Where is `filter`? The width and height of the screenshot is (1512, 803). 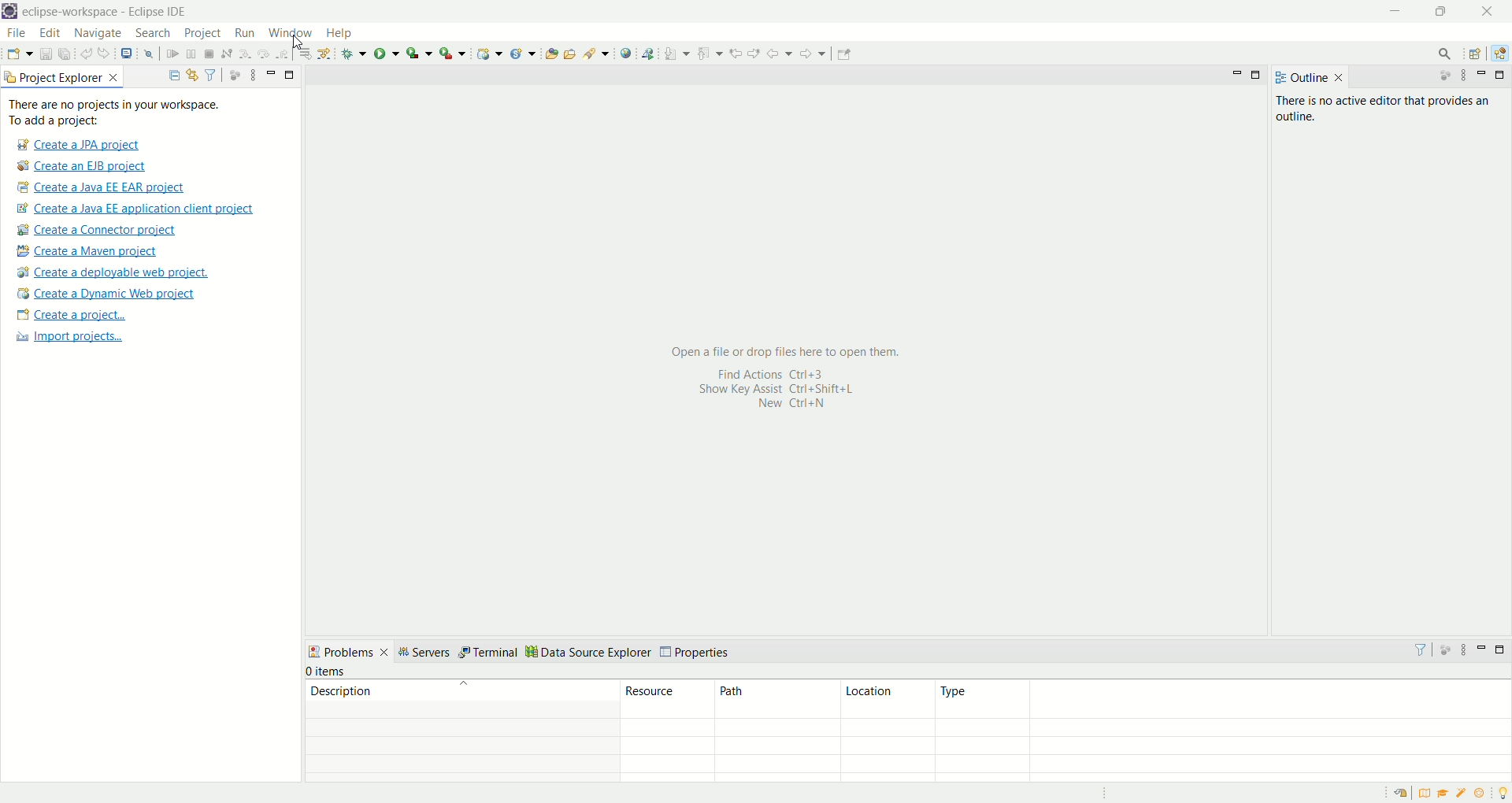 filter is located at coordinates (210, 74).